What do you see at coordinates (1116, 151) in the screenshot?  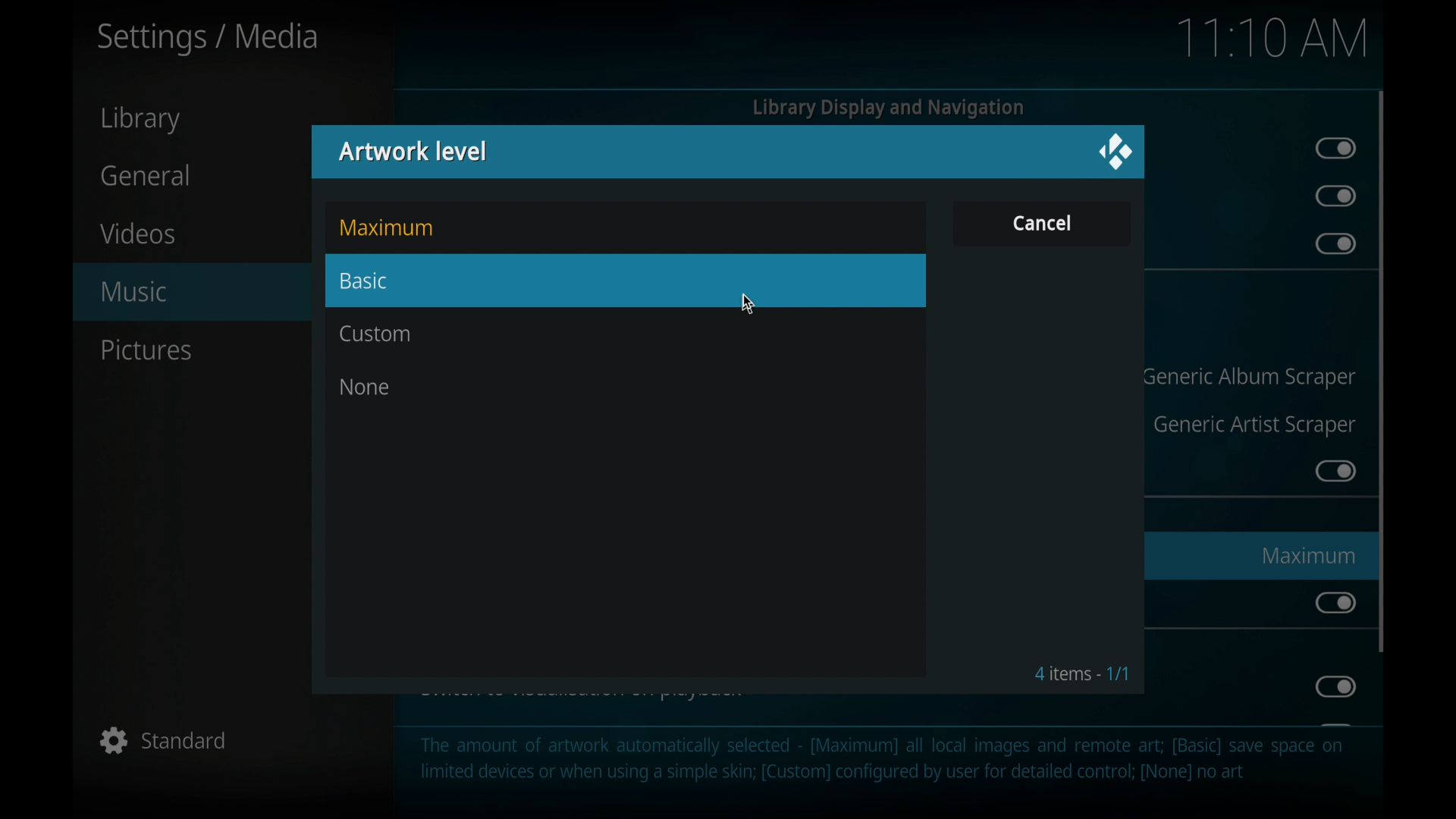 I see `close` at bounding box center [1116, 151].